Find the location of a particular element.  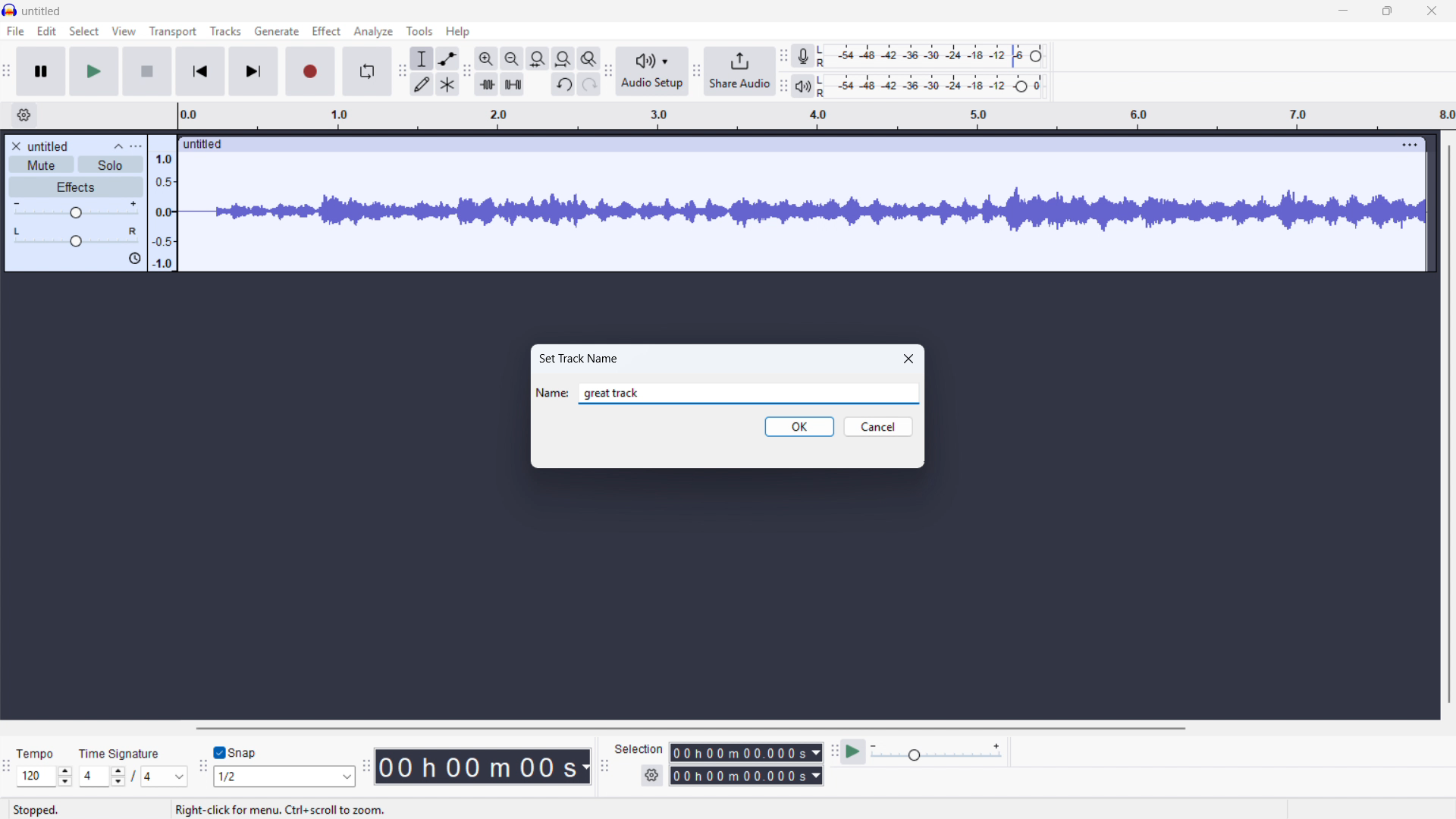

minimise is located at coordinates (1345, 11).